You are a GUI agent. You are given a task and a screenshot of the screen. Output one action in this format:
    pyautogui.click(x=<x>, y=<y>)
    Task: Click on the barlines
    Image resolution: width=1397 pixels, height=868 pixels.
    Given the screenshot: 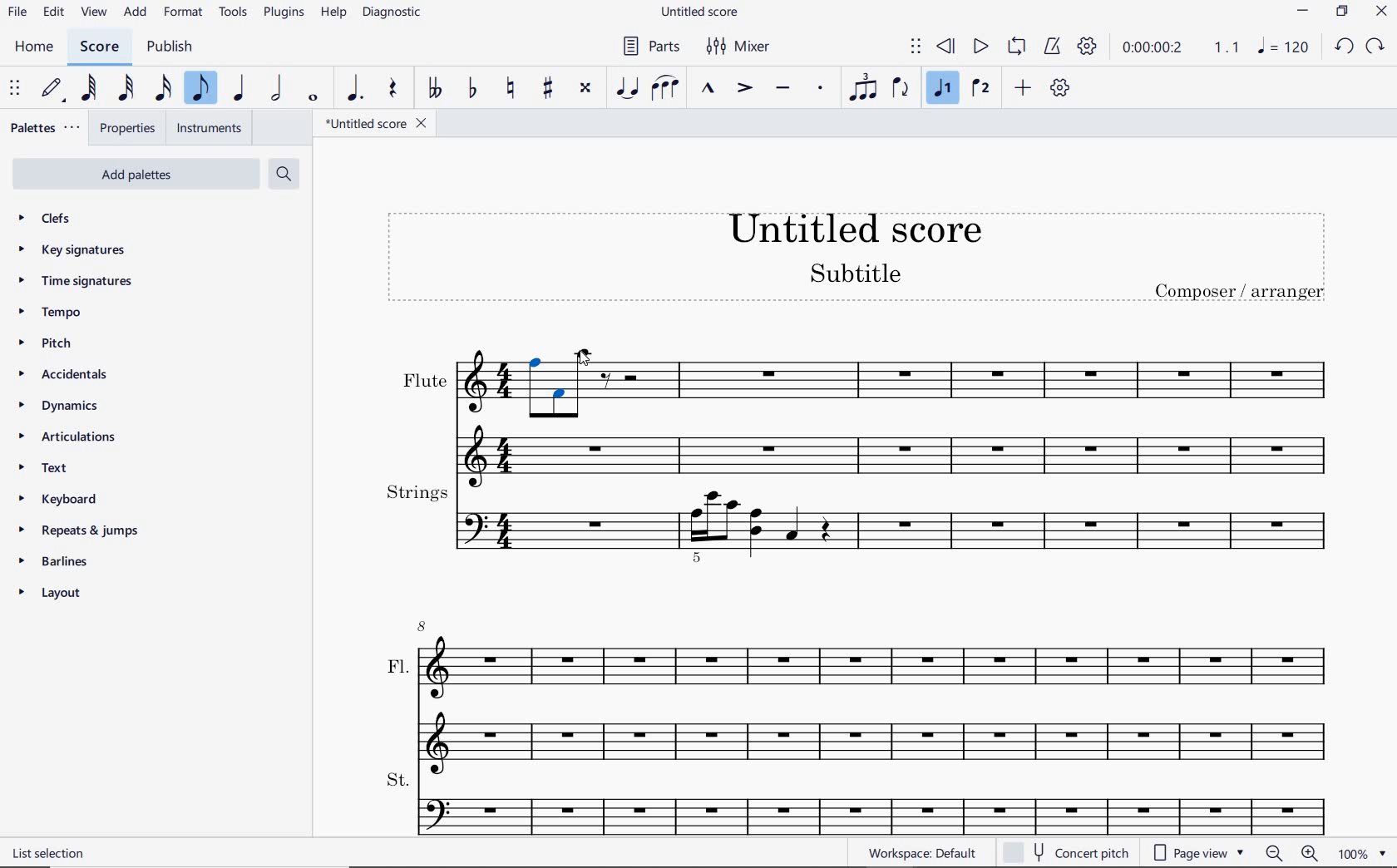 What is the action you would take?
    pyautogui.click(x=54, y=560)
    